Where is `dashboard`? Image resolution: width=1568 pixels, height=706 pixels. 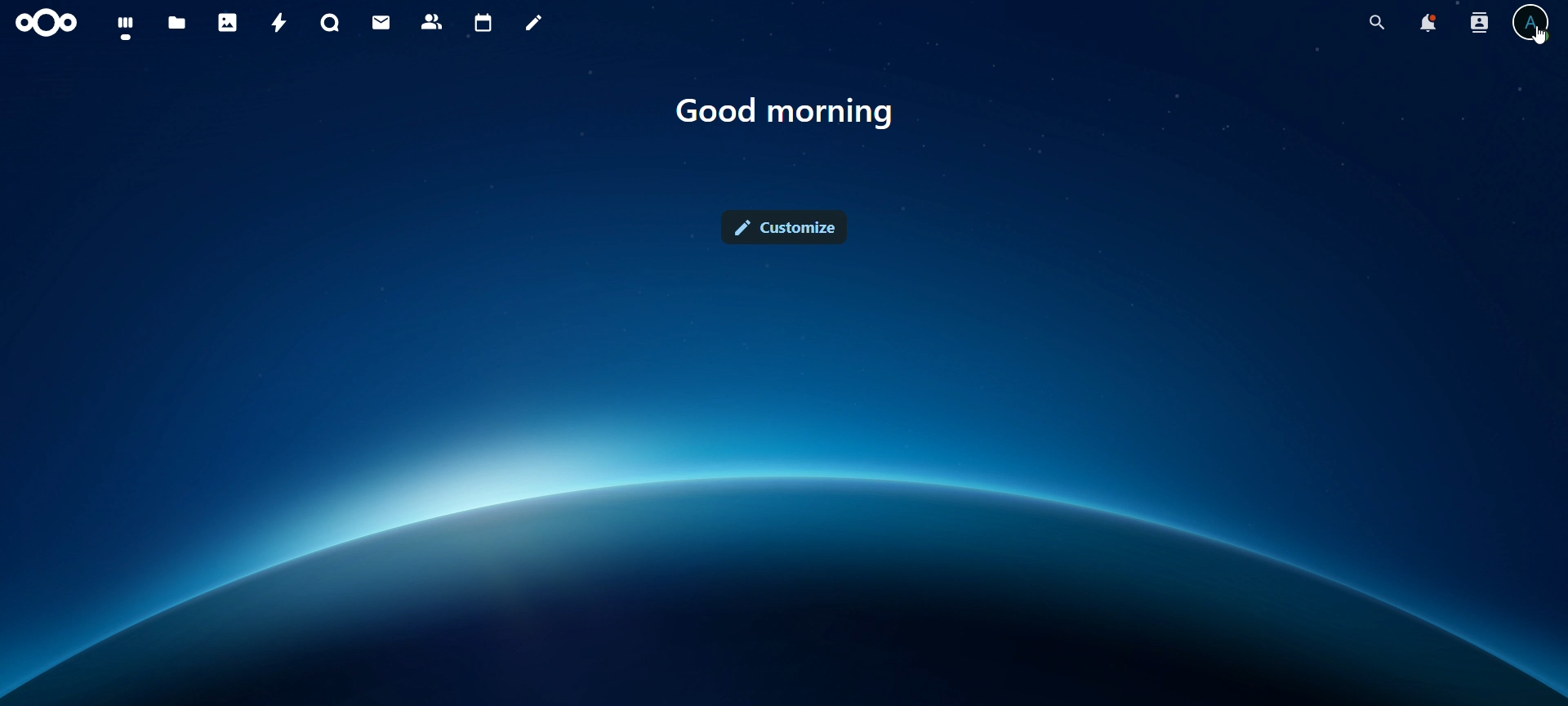 dashboard is located at coordinates (124, 26).